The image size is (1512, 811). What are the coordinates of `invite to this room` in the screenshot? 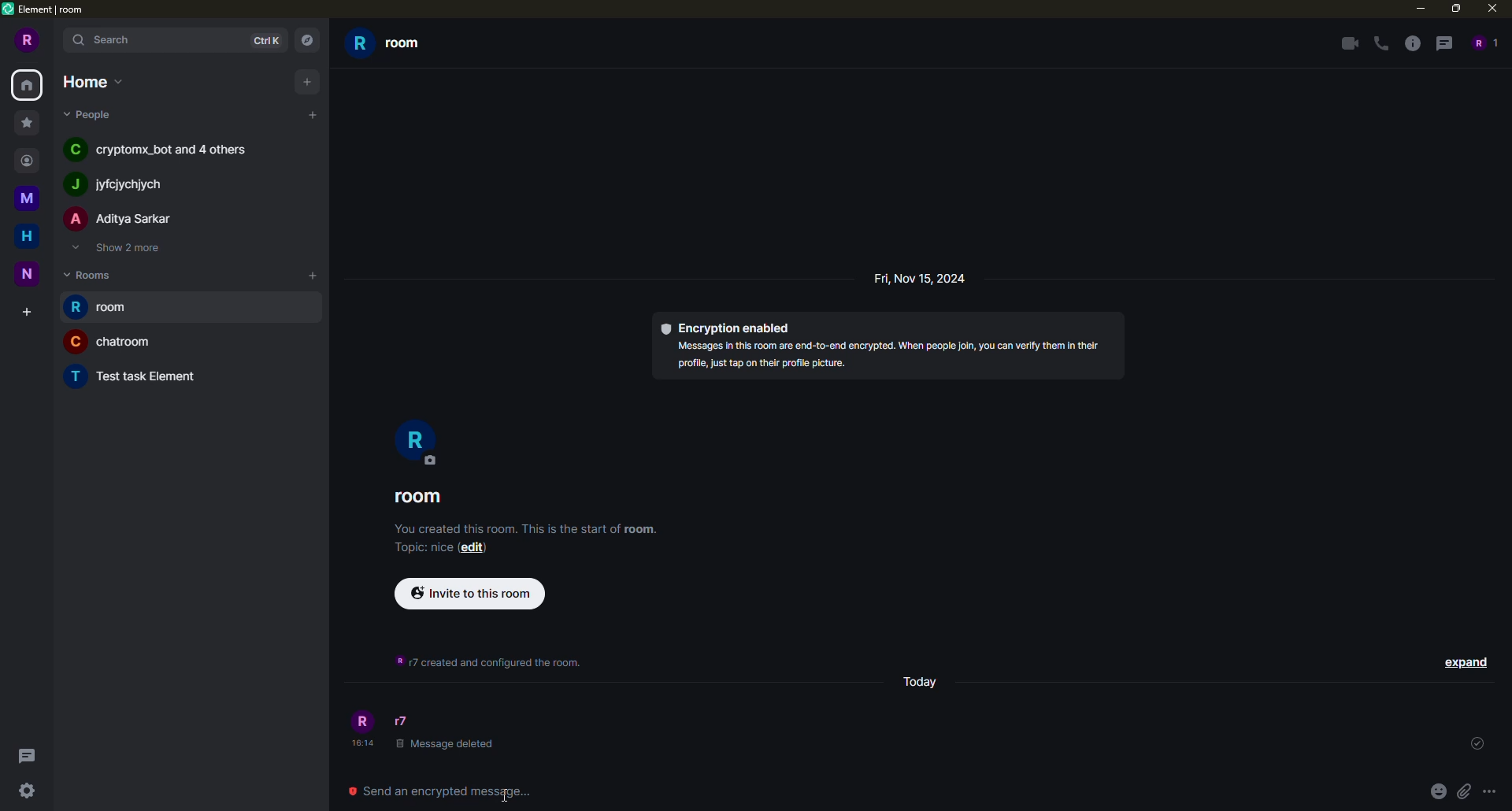 It's located at (470, 594).